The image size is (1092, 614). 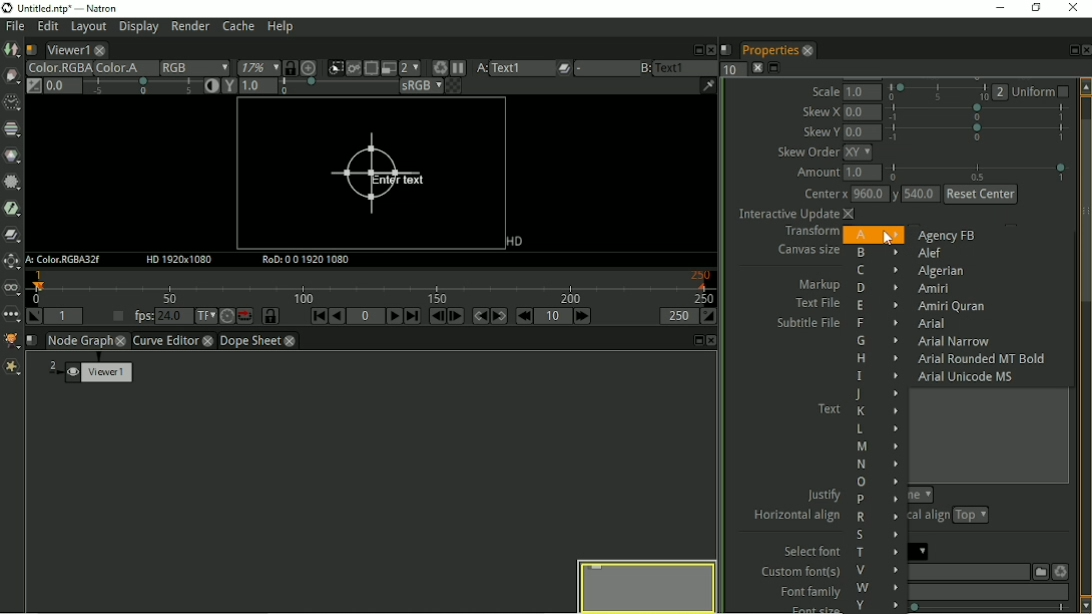 I want to click on Frame increment, so click(x=554, y=316).